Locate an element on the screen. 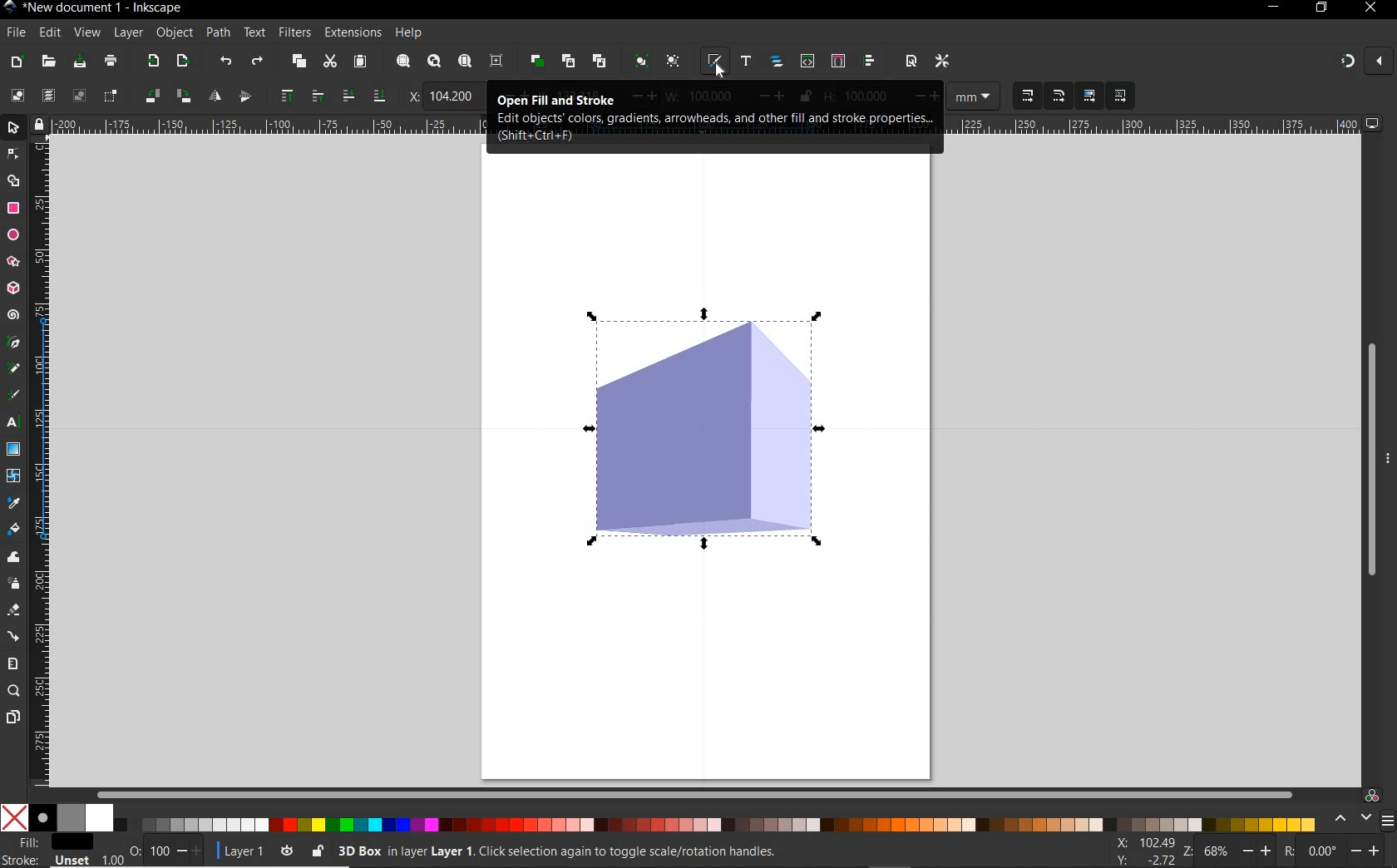 Image resolution: width=1397 pixels, height=868 pixels. TOGGLE SELECTION BOX is located at coordinates (111, 97).